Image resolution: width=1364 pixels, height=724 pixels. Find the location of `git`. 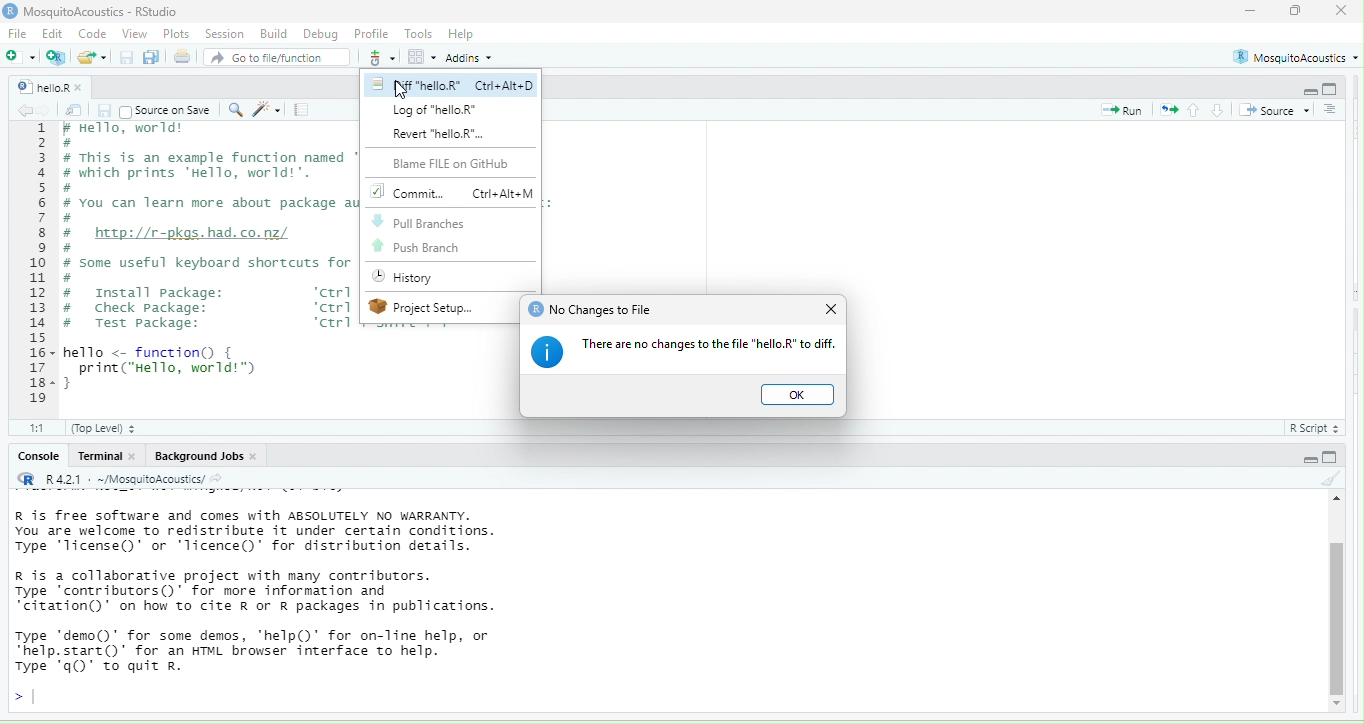

git is located at coordinates (380, 57).